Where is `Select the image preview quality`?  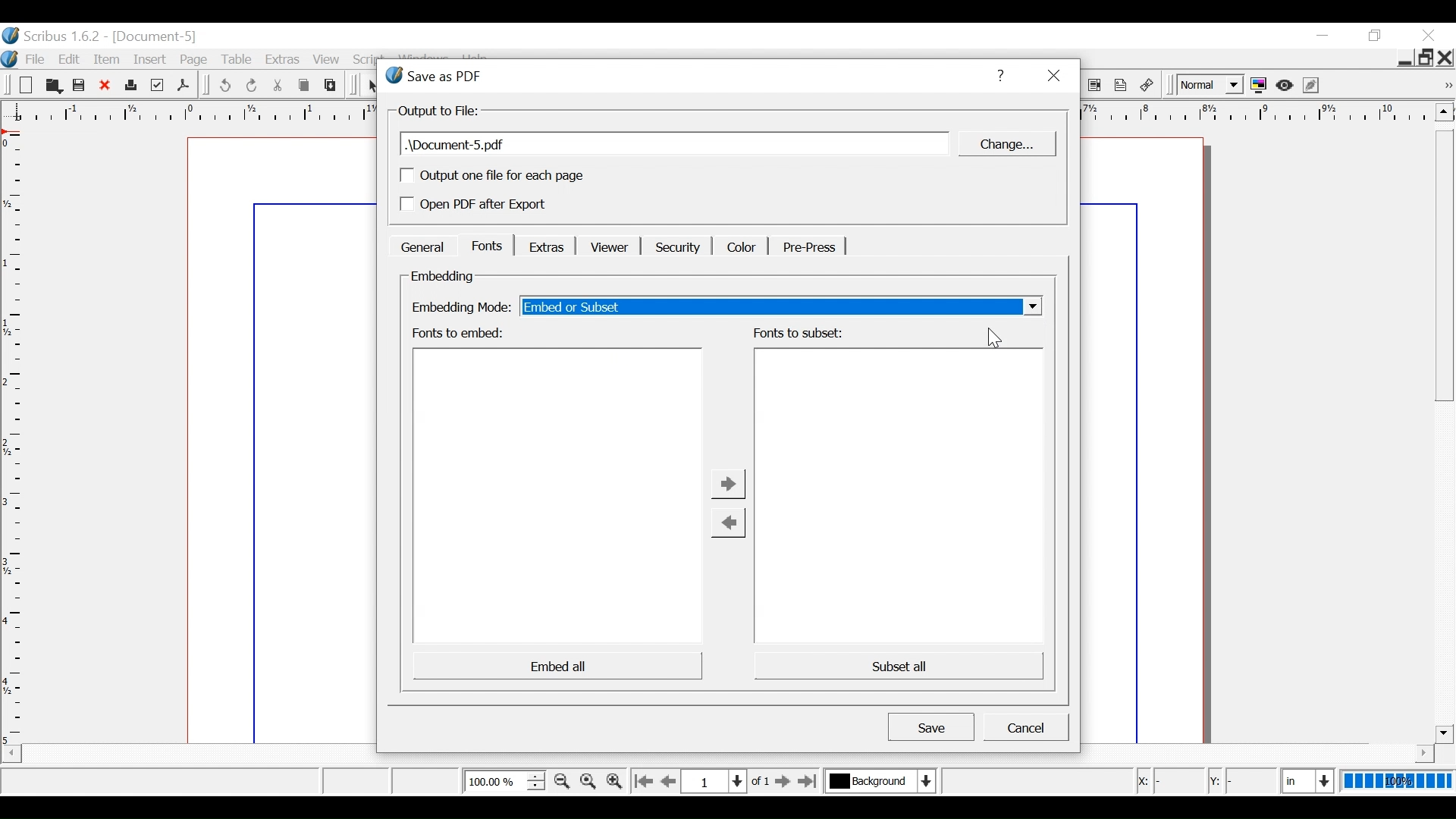 Select the image preview quality is located at coordinates (1208, 86).